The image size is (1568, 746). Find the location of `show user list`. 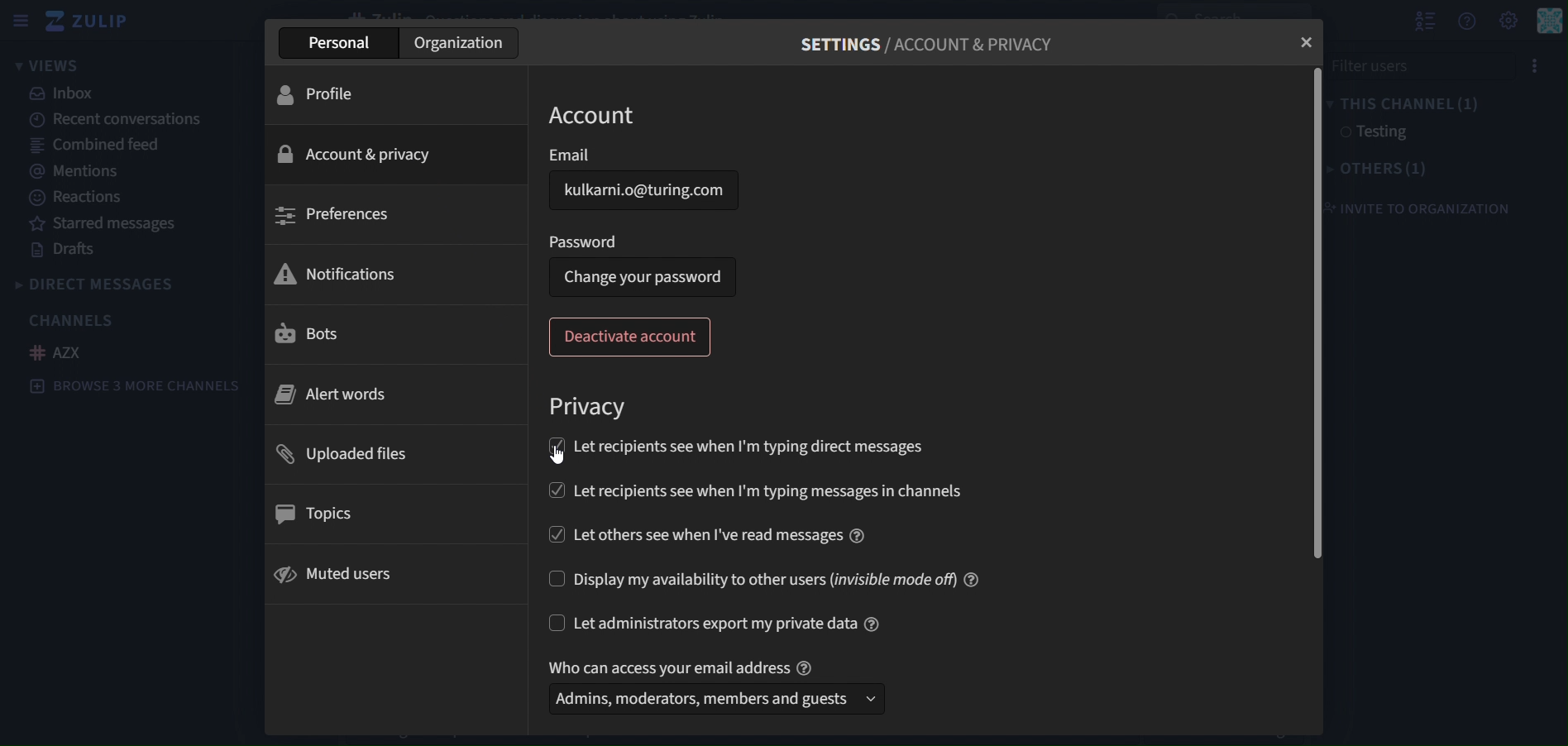

show user list is located at coordinates (1422, 22).